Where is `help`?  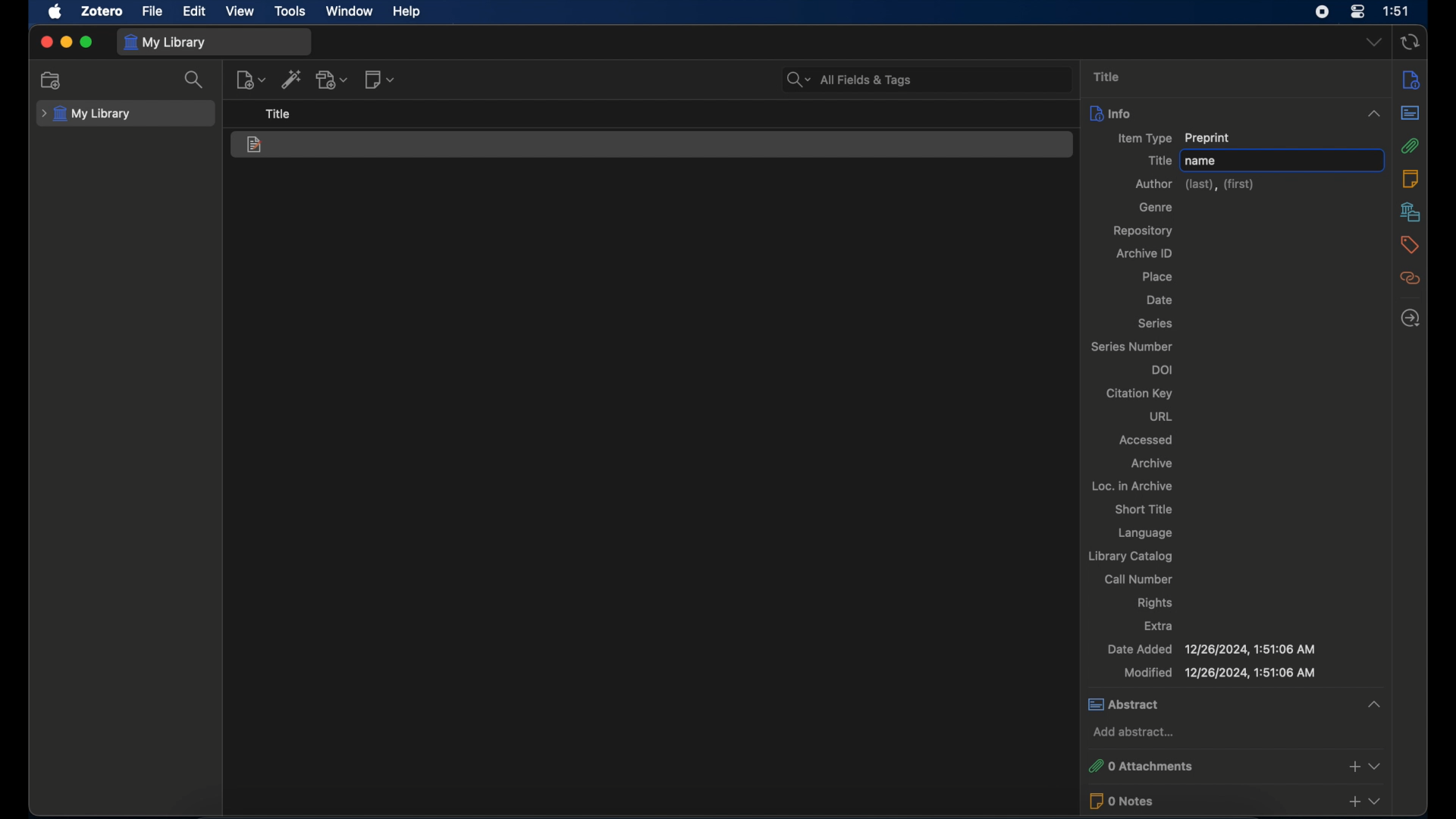 help is located at coordinates (408, 12).